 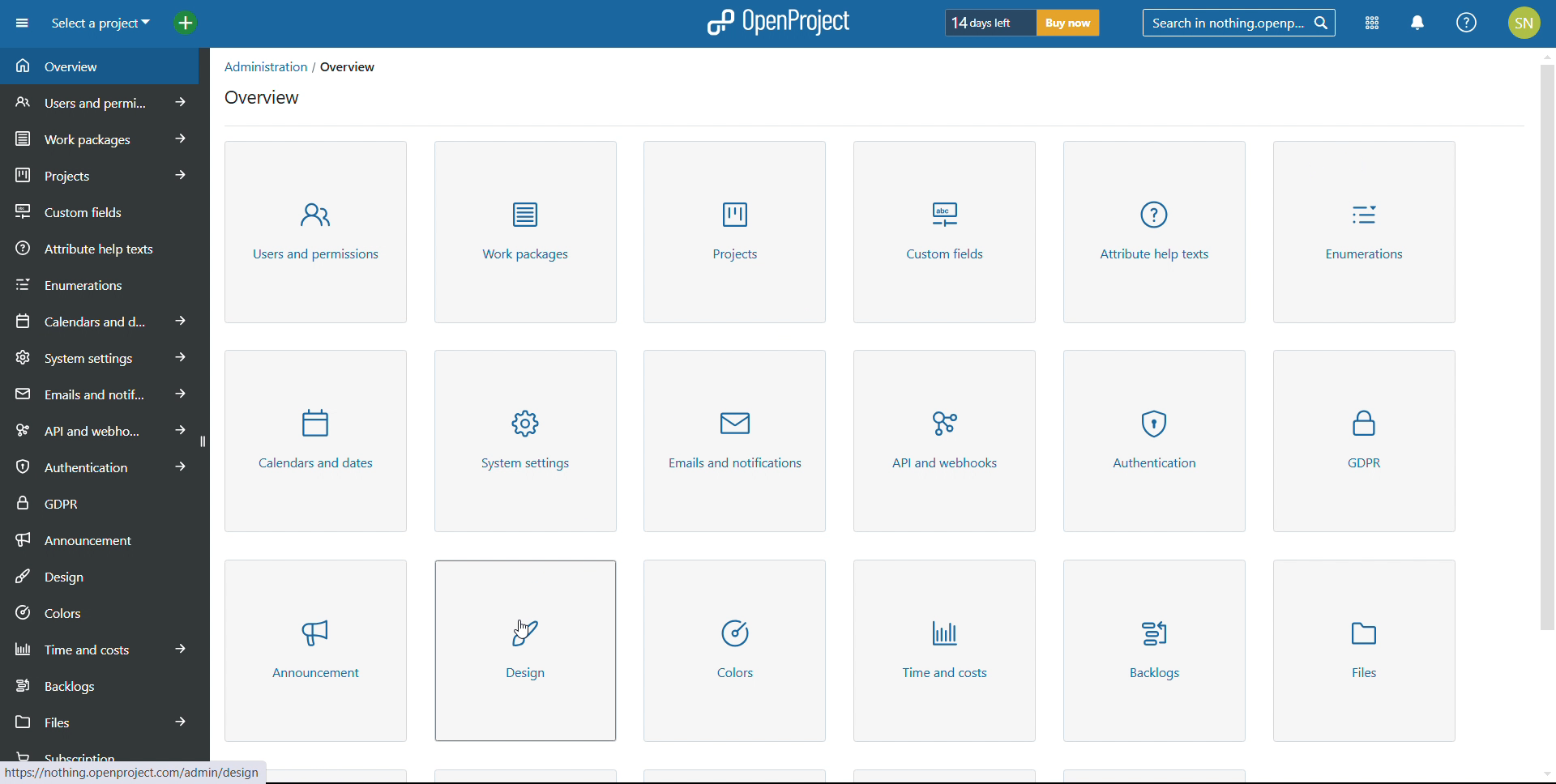 I want to click on administration, so click(x=260, y=65).